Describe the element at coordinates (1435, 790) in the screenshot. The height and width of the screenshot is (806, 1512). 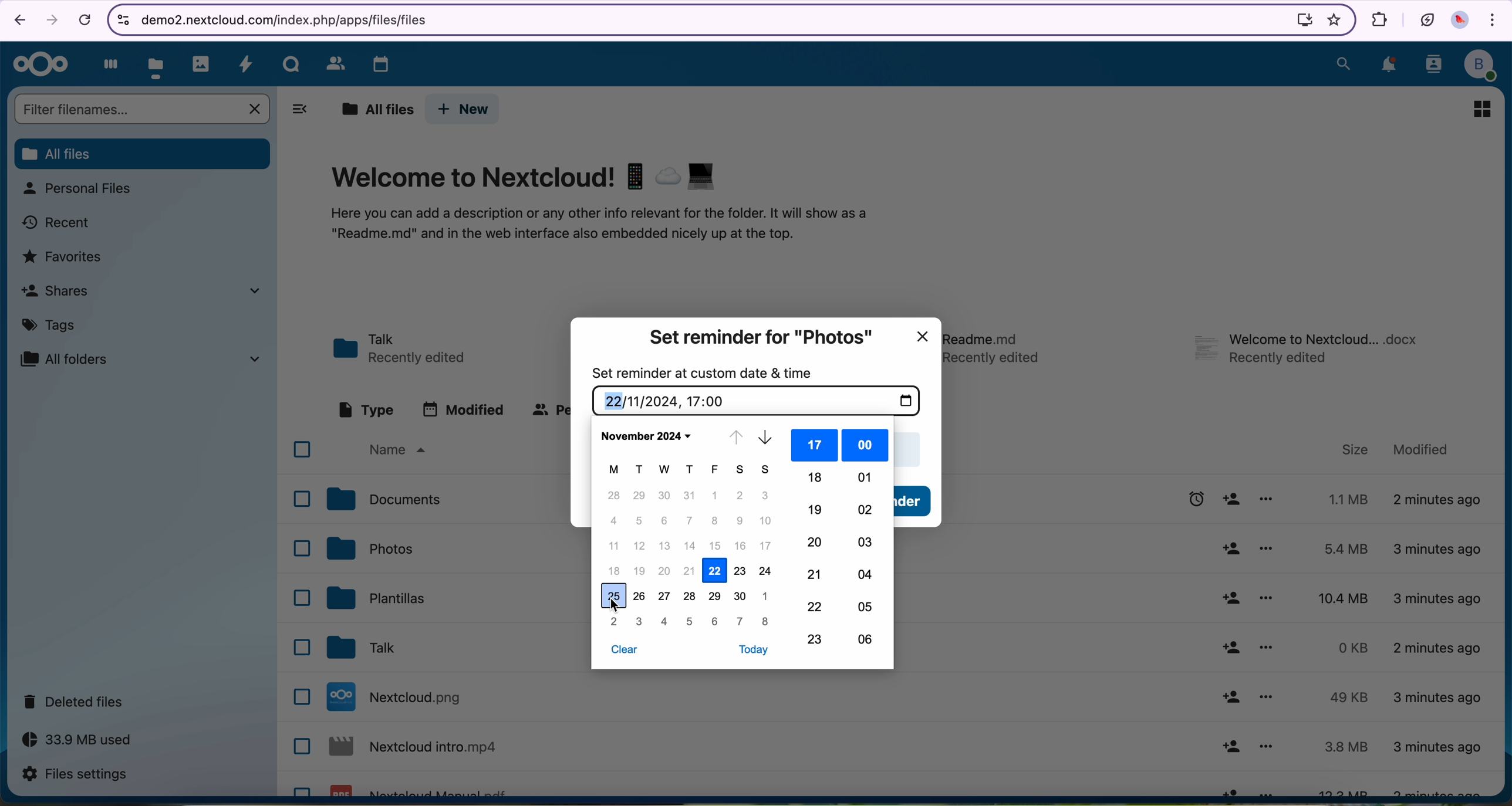
I see `3 minutes ago` at that location.